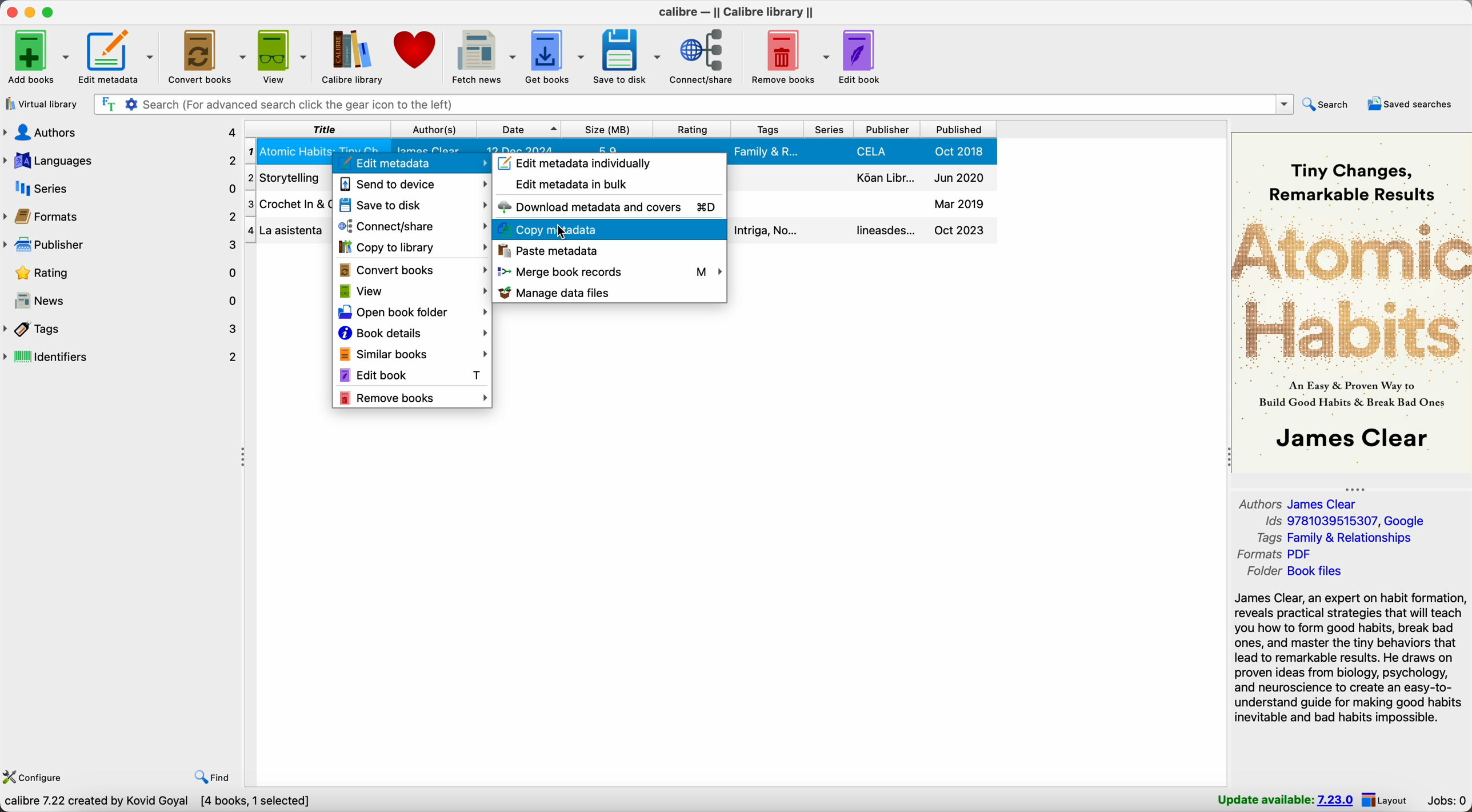 The image size is (1472, 812). What do you see at coordinates (353, 55) in the screenshot?
I see `Calibre library` at bounding box center [353, 55].